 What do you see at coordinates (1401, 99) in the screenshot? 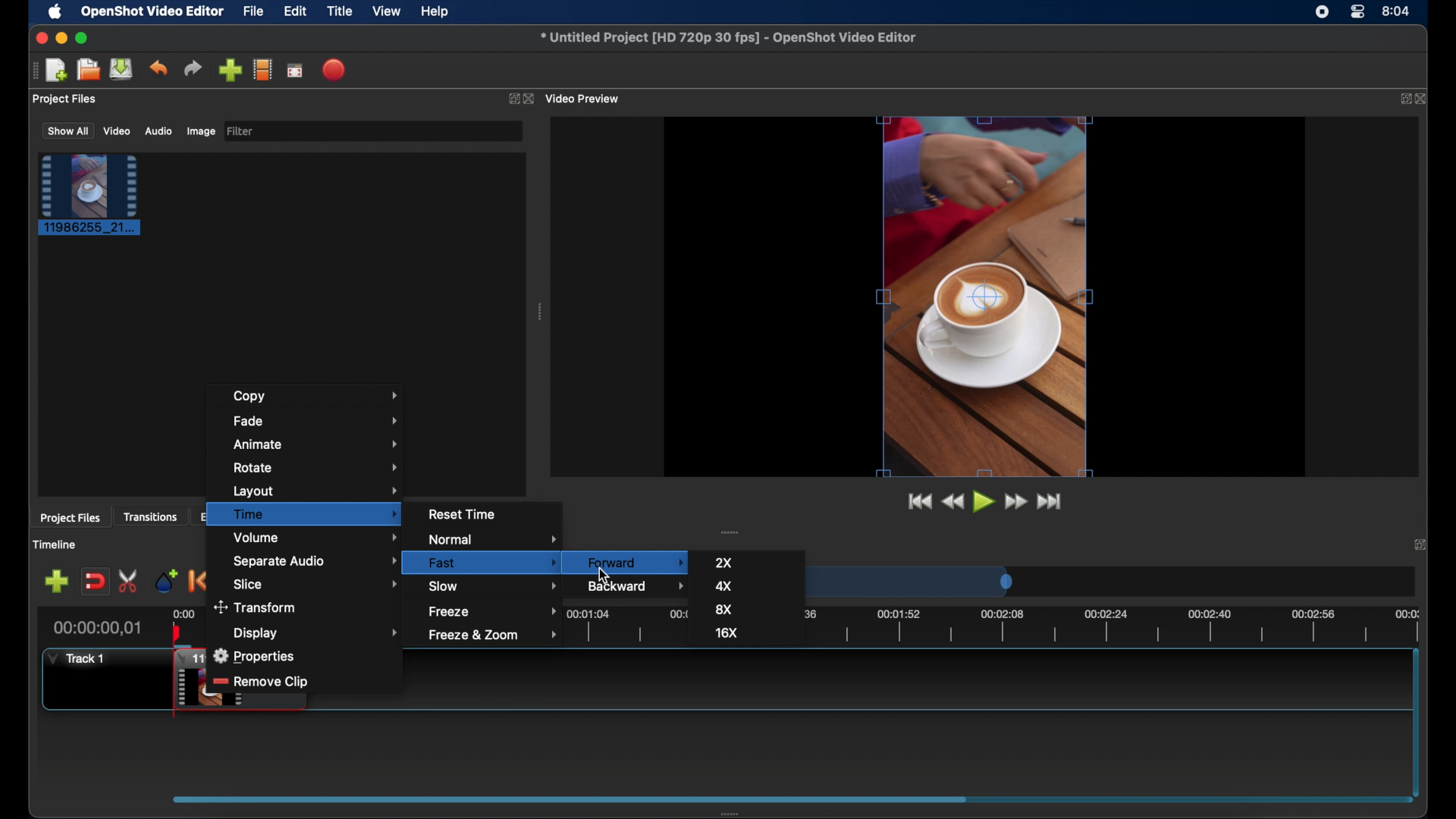
I see `expand` at bounding box center [1401, 99].